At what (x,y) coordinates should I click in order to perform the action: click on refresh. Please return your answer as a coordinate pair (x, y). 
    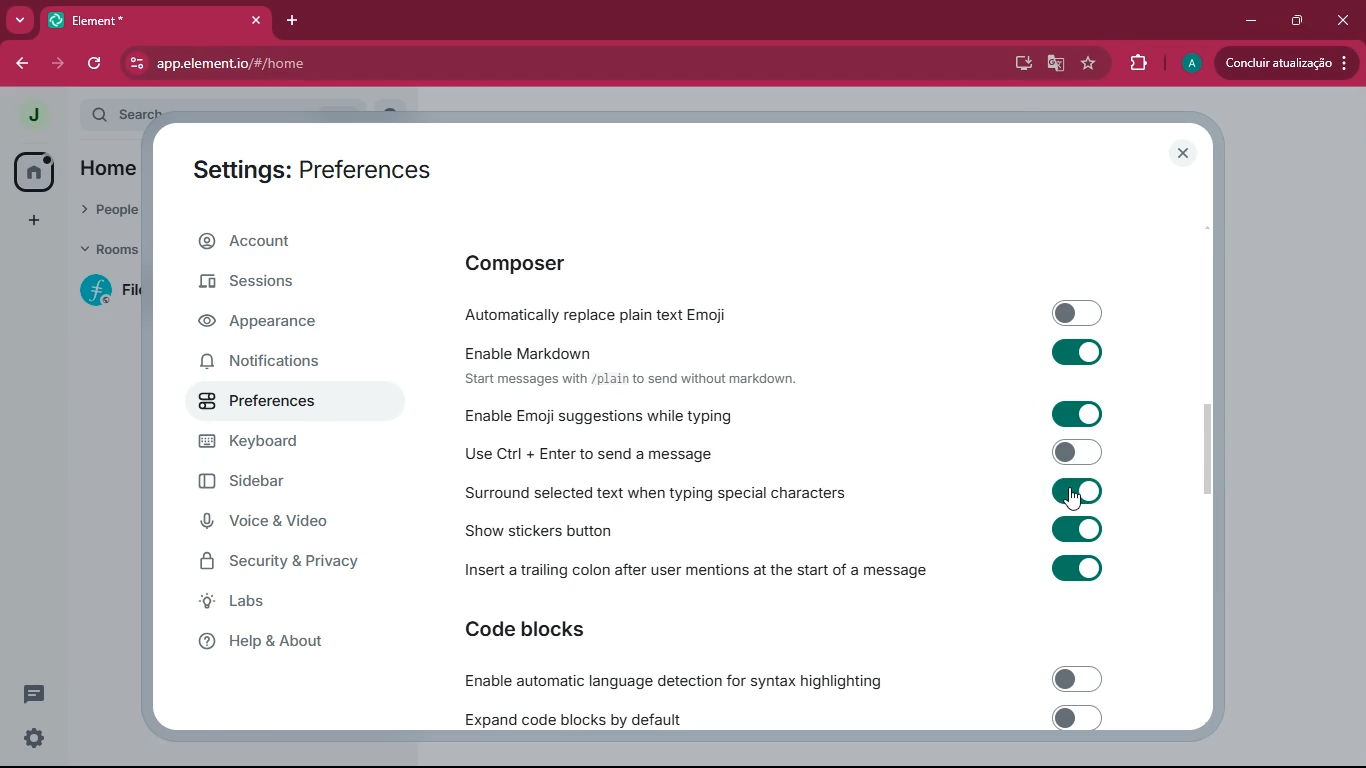
    Looking at the image, I should click on (97, 64).